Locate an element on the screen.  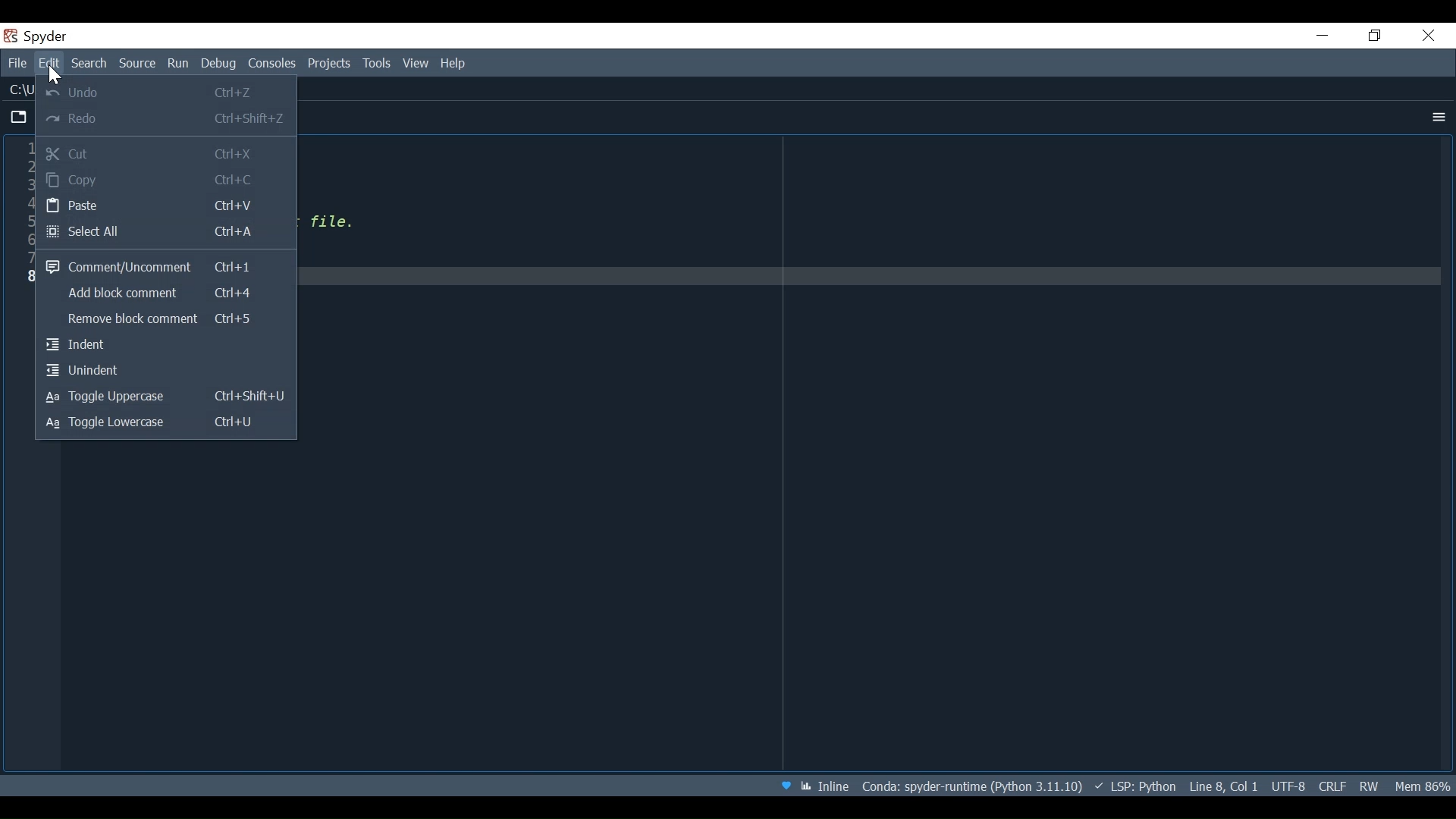
Remove Block Comment is located at coordinates (119, 321).